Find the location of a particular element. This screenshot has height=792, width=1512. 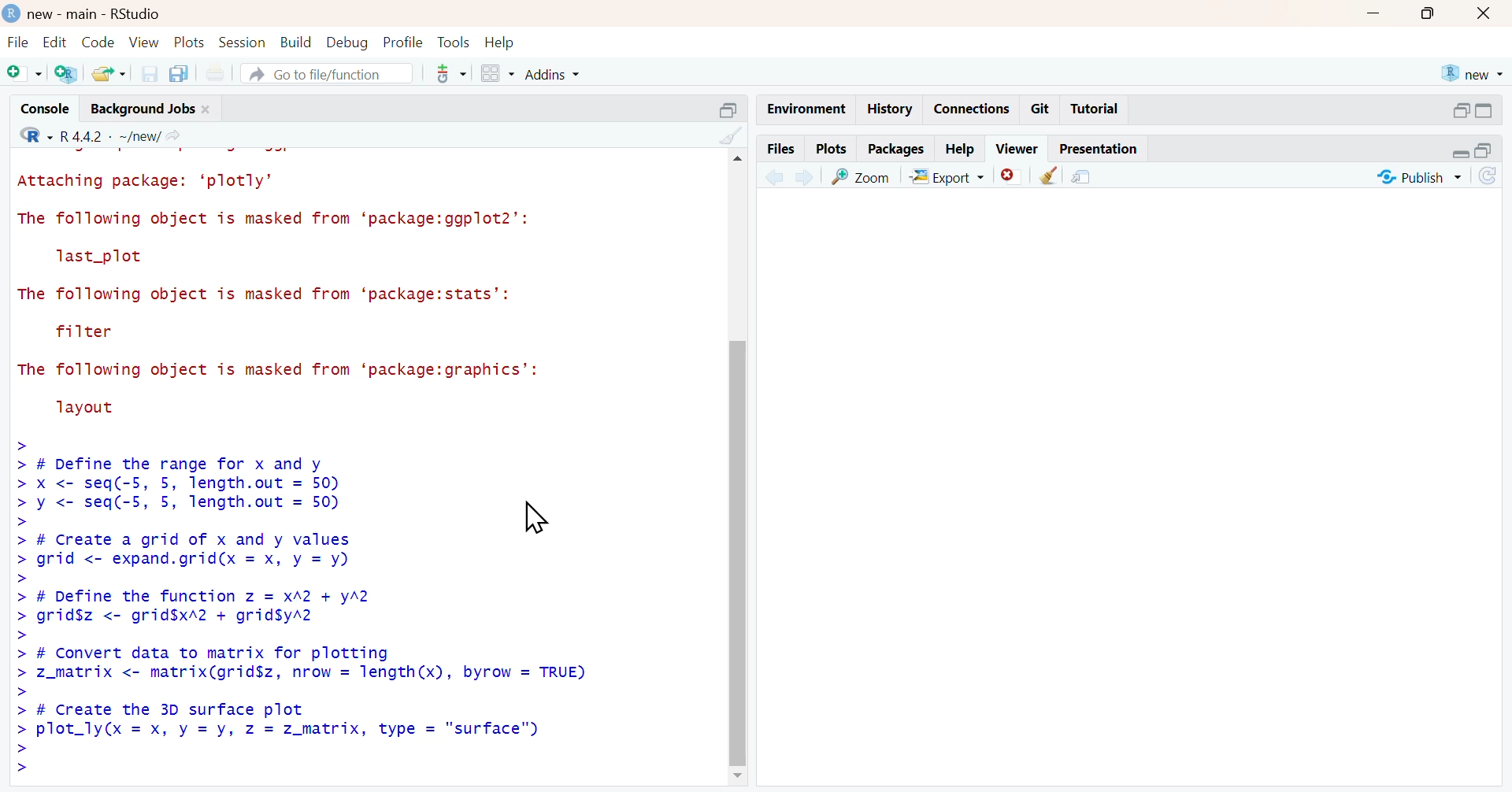

prompt cursor is located at coordinates (16, 442).